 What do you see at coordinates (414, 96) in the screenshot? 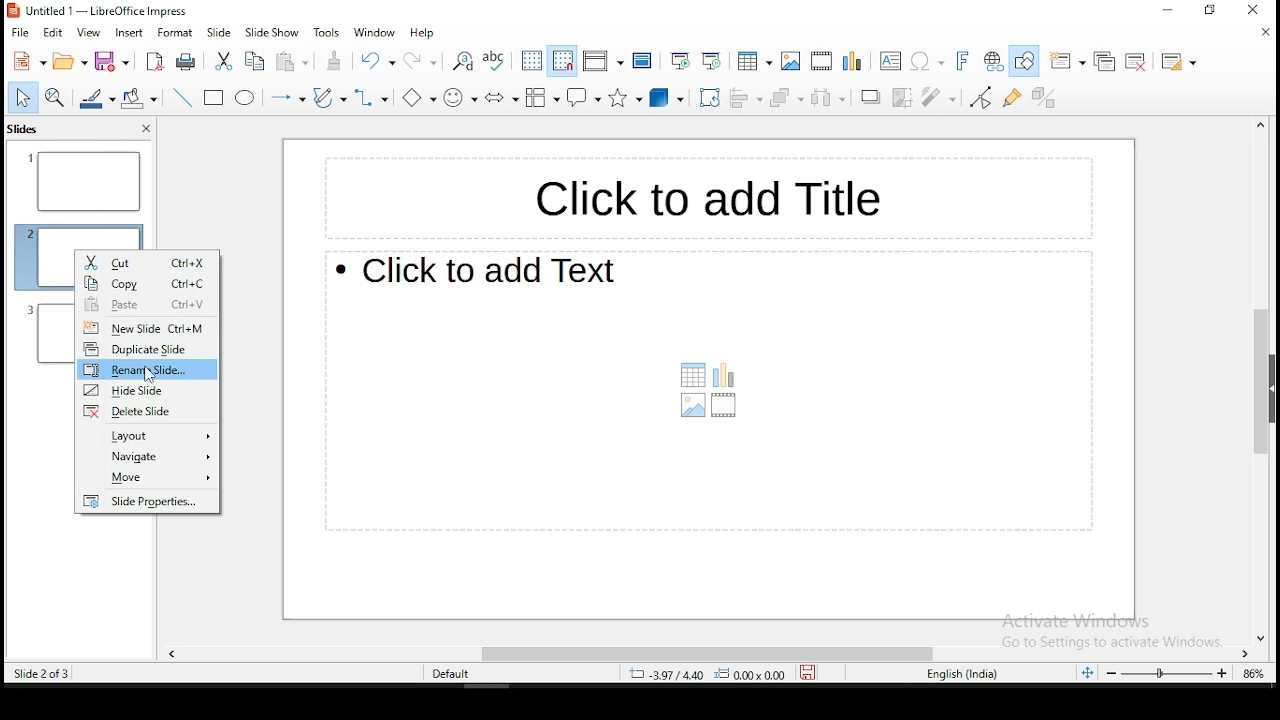
I see `basic shapes` at bounding box center [414, 96].